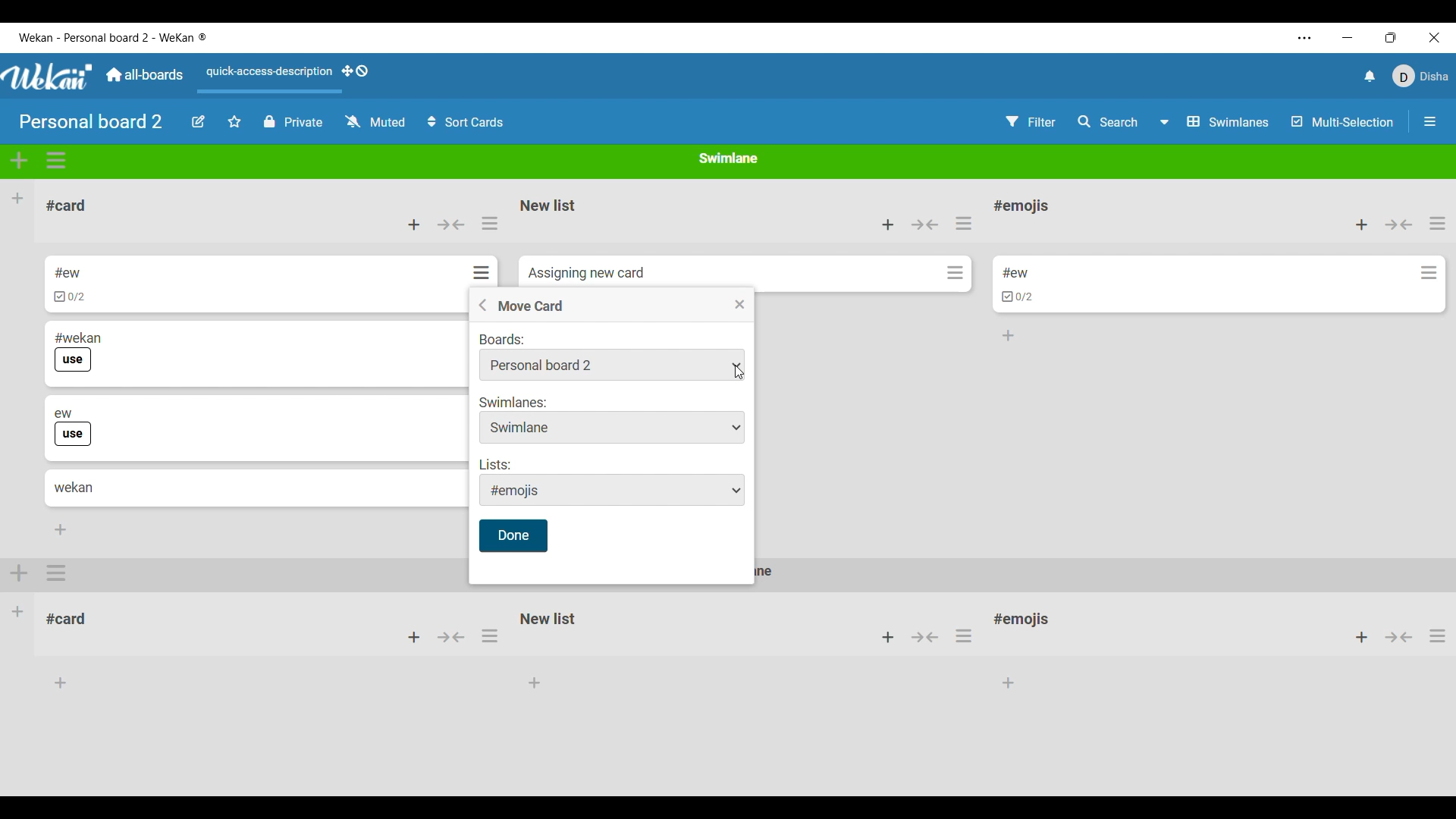 This screenshot has width=1456, height=819. Describe the element at coordinates (61, 529) in the screenshot. I see `Add card to bottom of list` at that location.